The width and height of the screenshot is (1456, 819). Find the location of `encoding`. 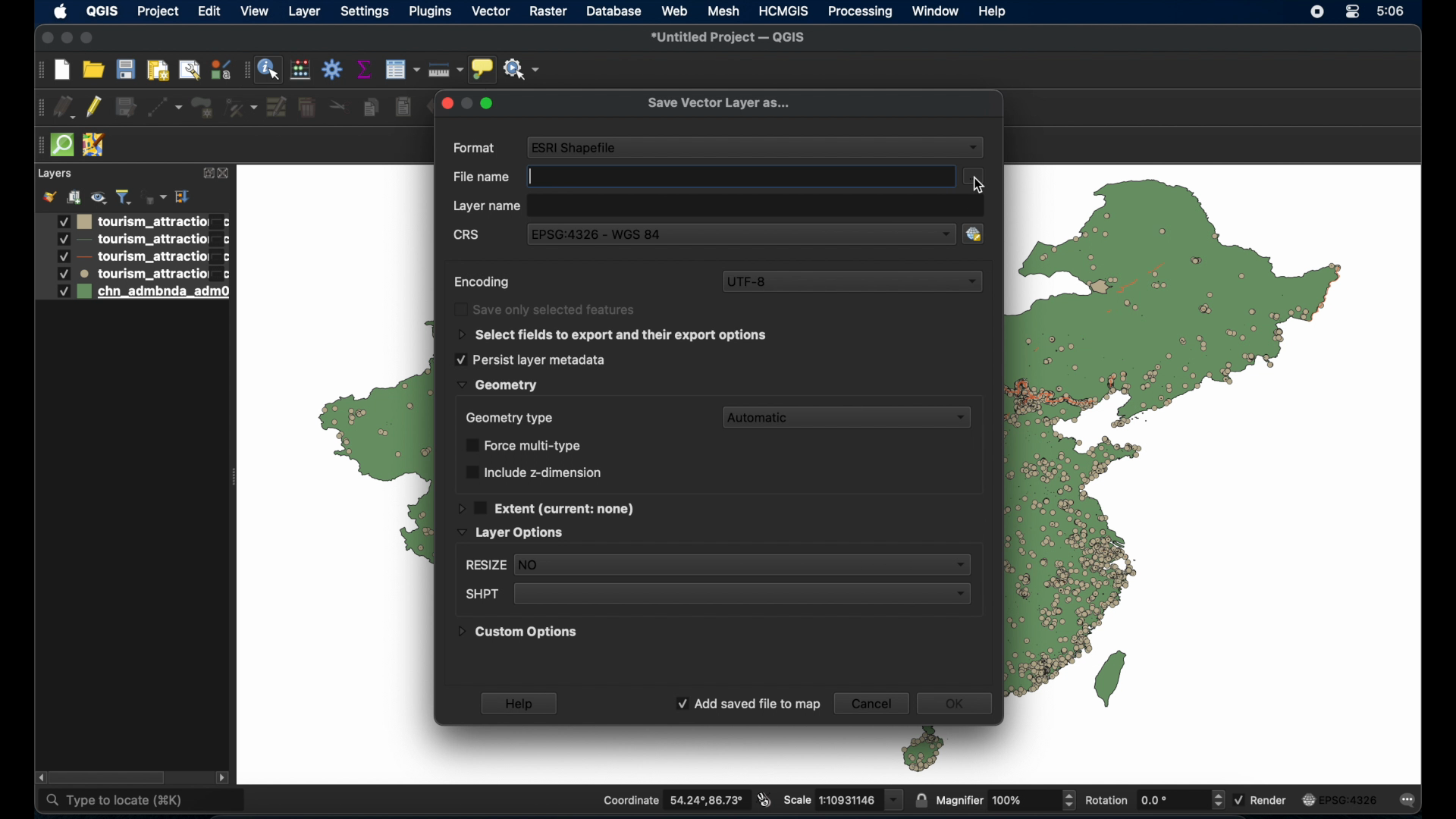

encoding is located at coordinates (482, 282).